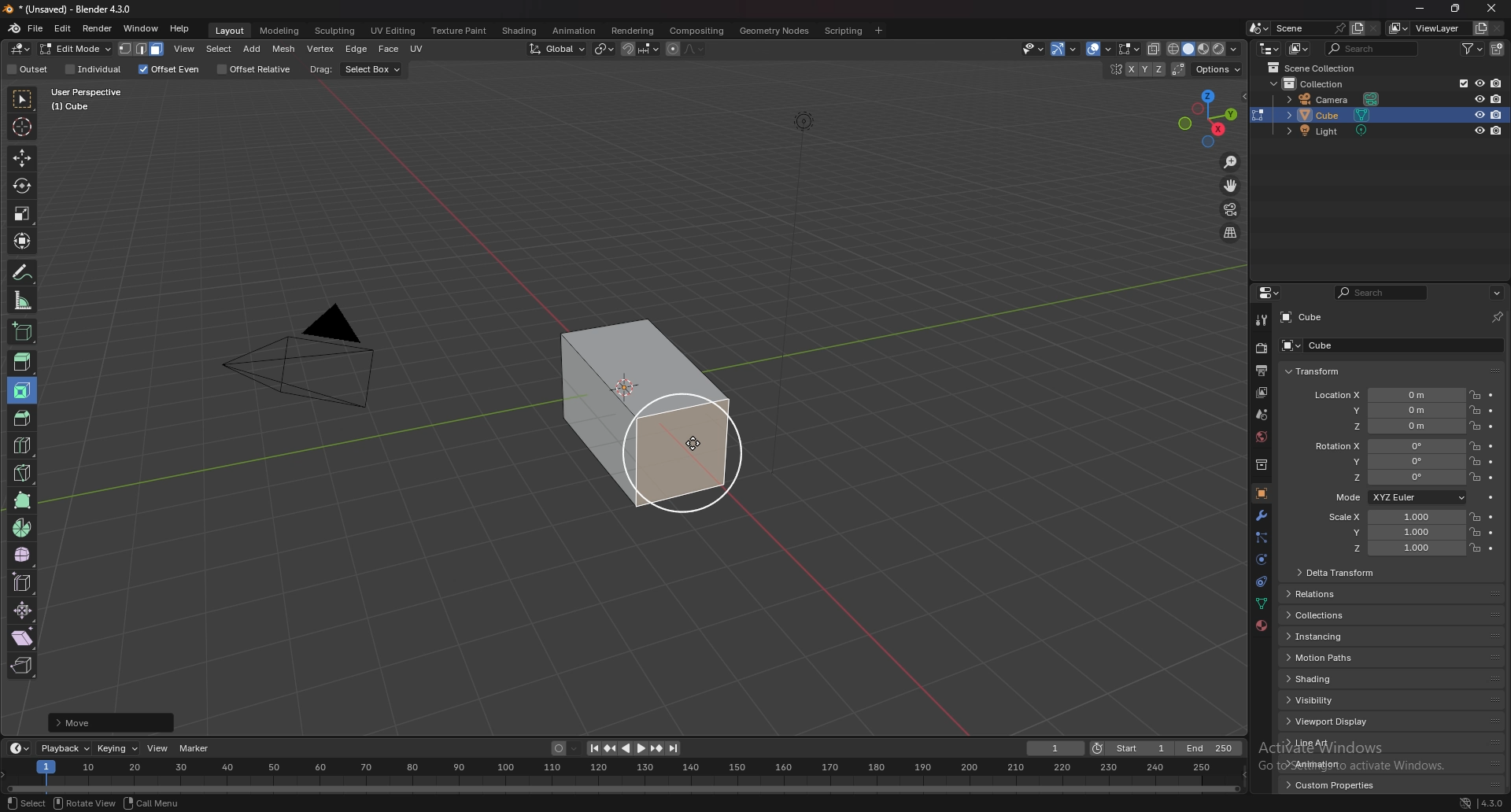 Image resolution: width=1511 pixels, height=812 pixels. Describe the element at coordinates (634, 31) in the screenshot. I see `rendering` at that location.